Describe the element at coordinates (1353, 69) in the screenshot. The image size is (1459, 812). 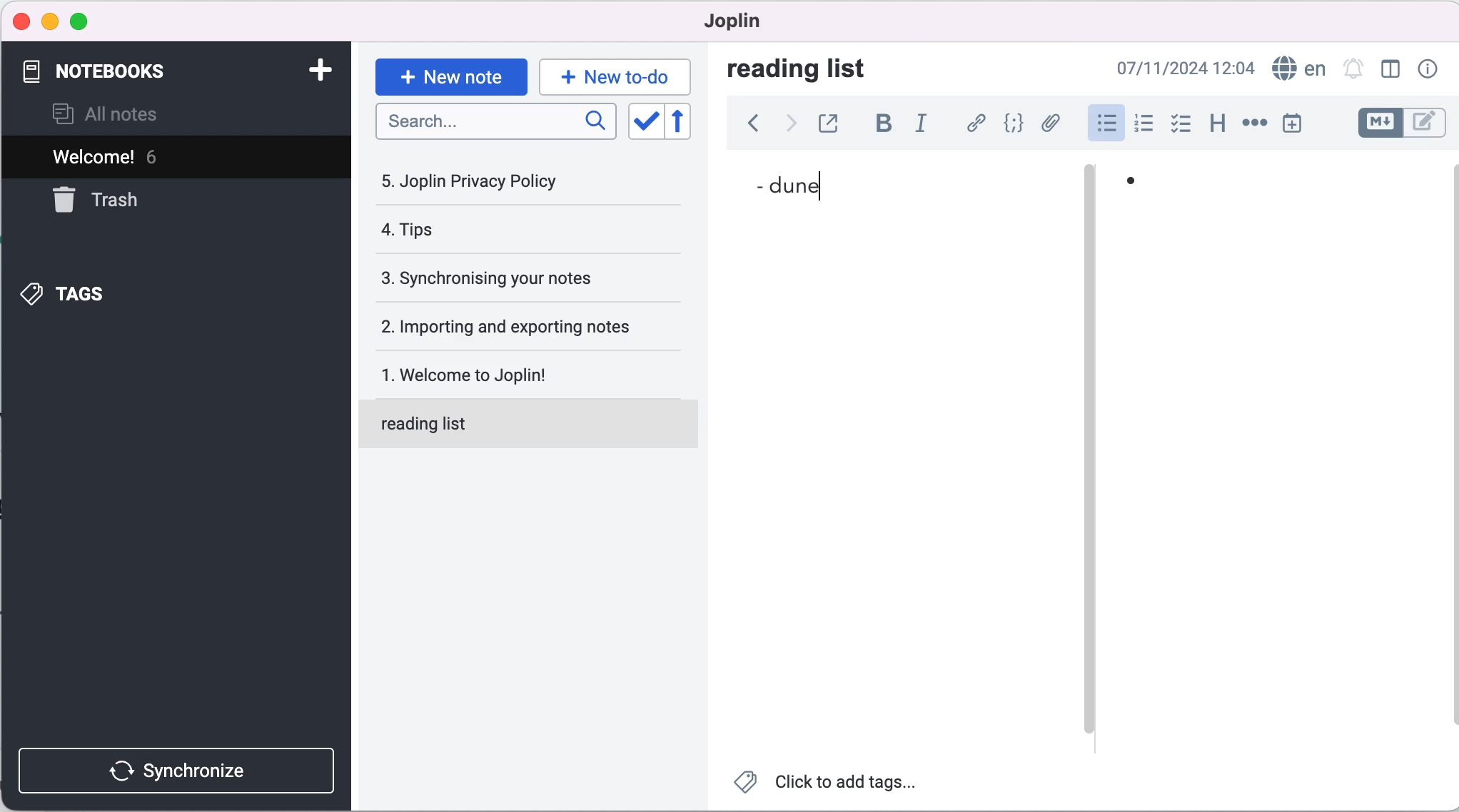
I see `set alarm` at that location.